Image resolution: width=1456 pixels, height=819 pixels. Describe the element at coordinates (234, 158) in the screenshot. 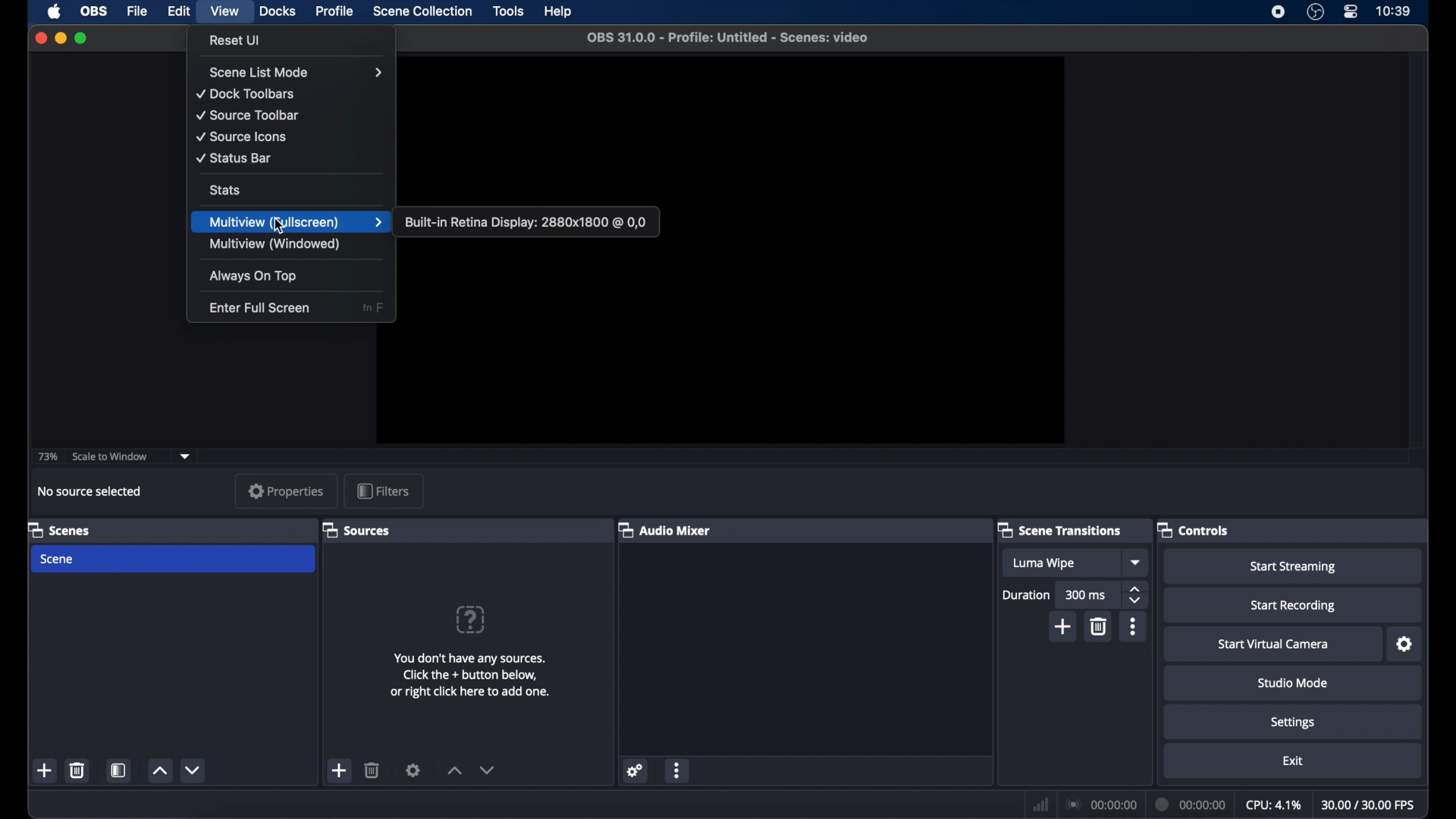

I see `status bar` at that location.